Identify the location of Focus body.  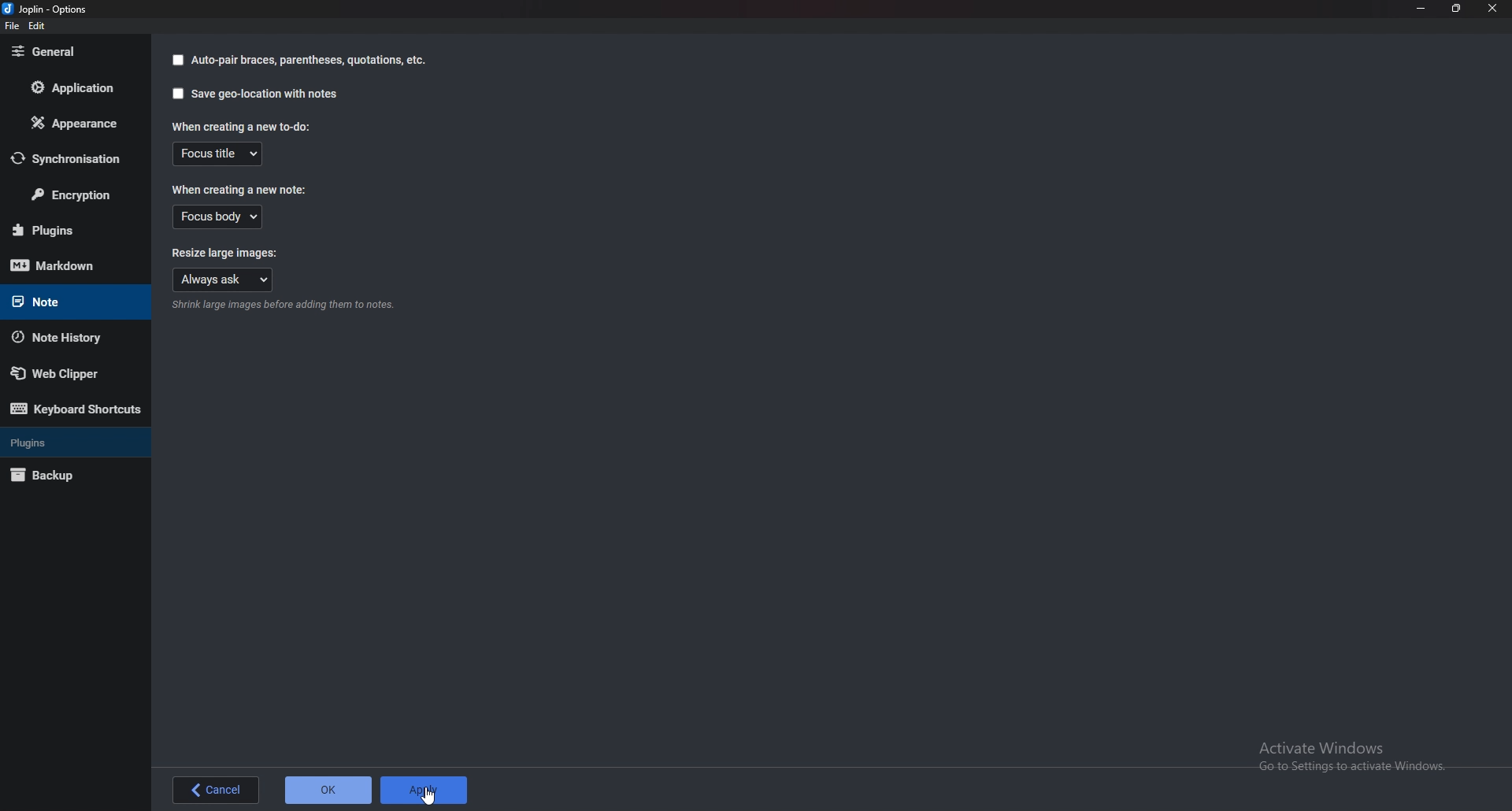
(218, 218).